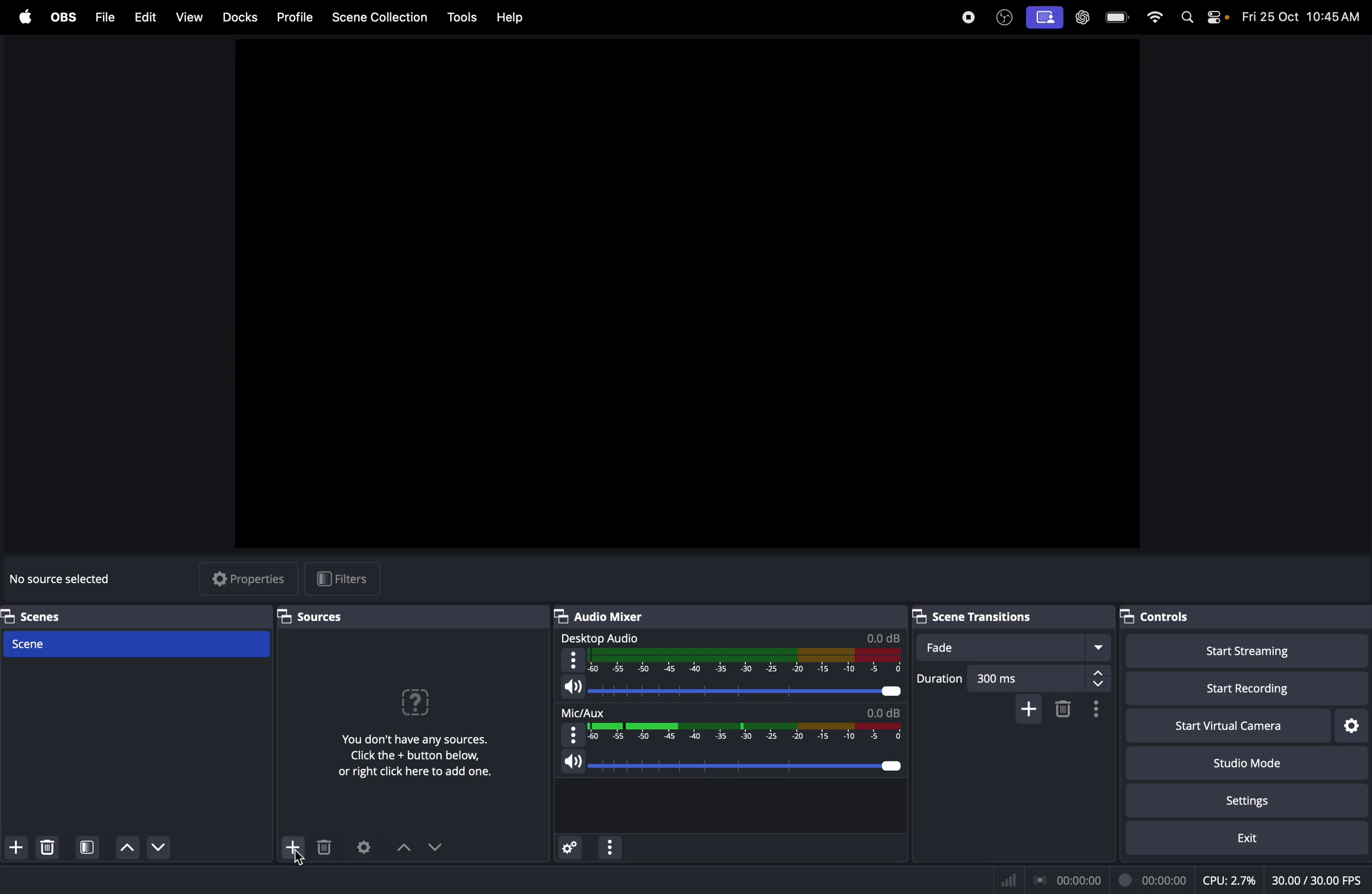 The image size is (1372, 894). What do you see at coordinates (734, 756) in the screenshot?
I see `speaker level` at bounding box center [734, 756].